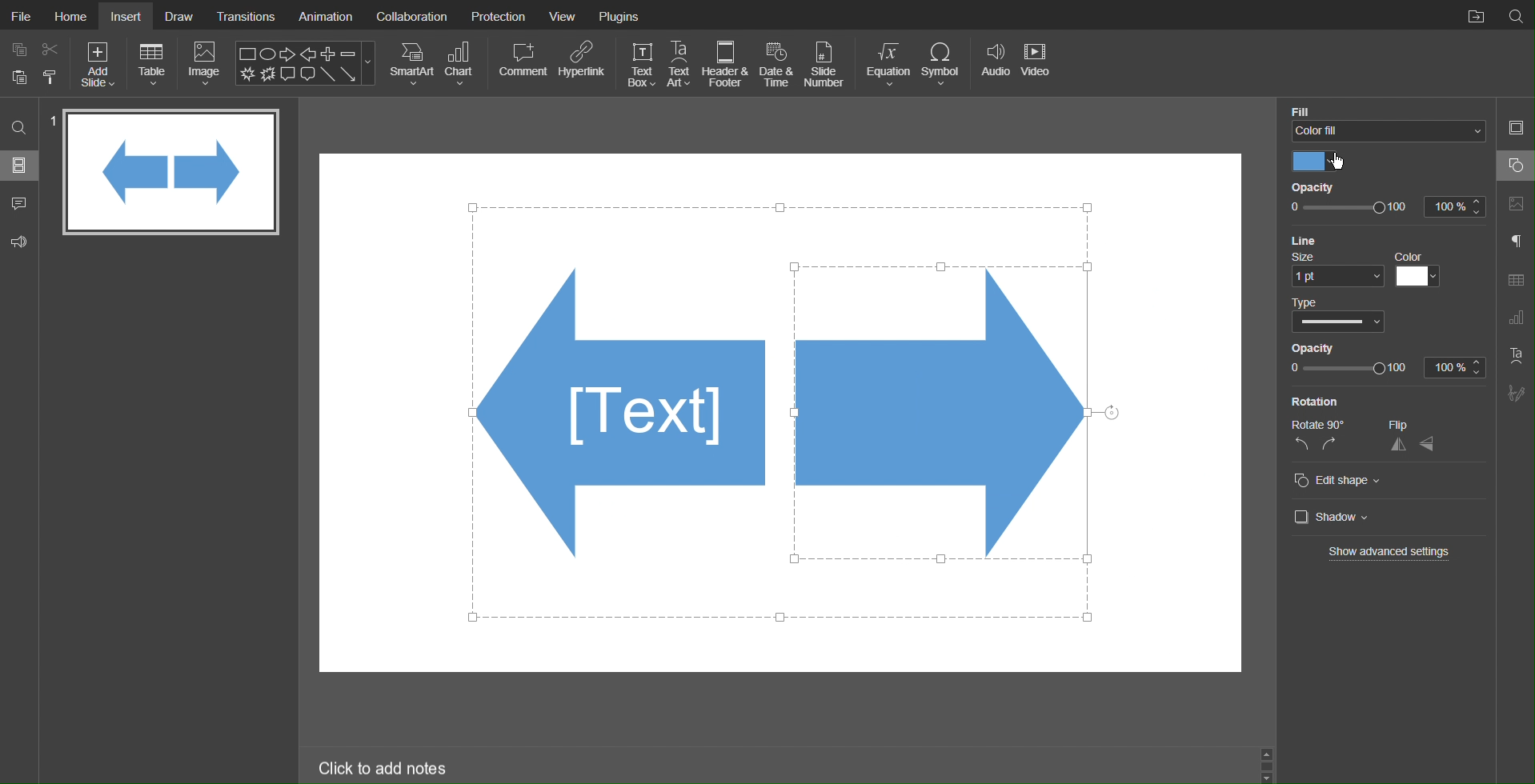  I want to click on paste options, so click(51, 79).